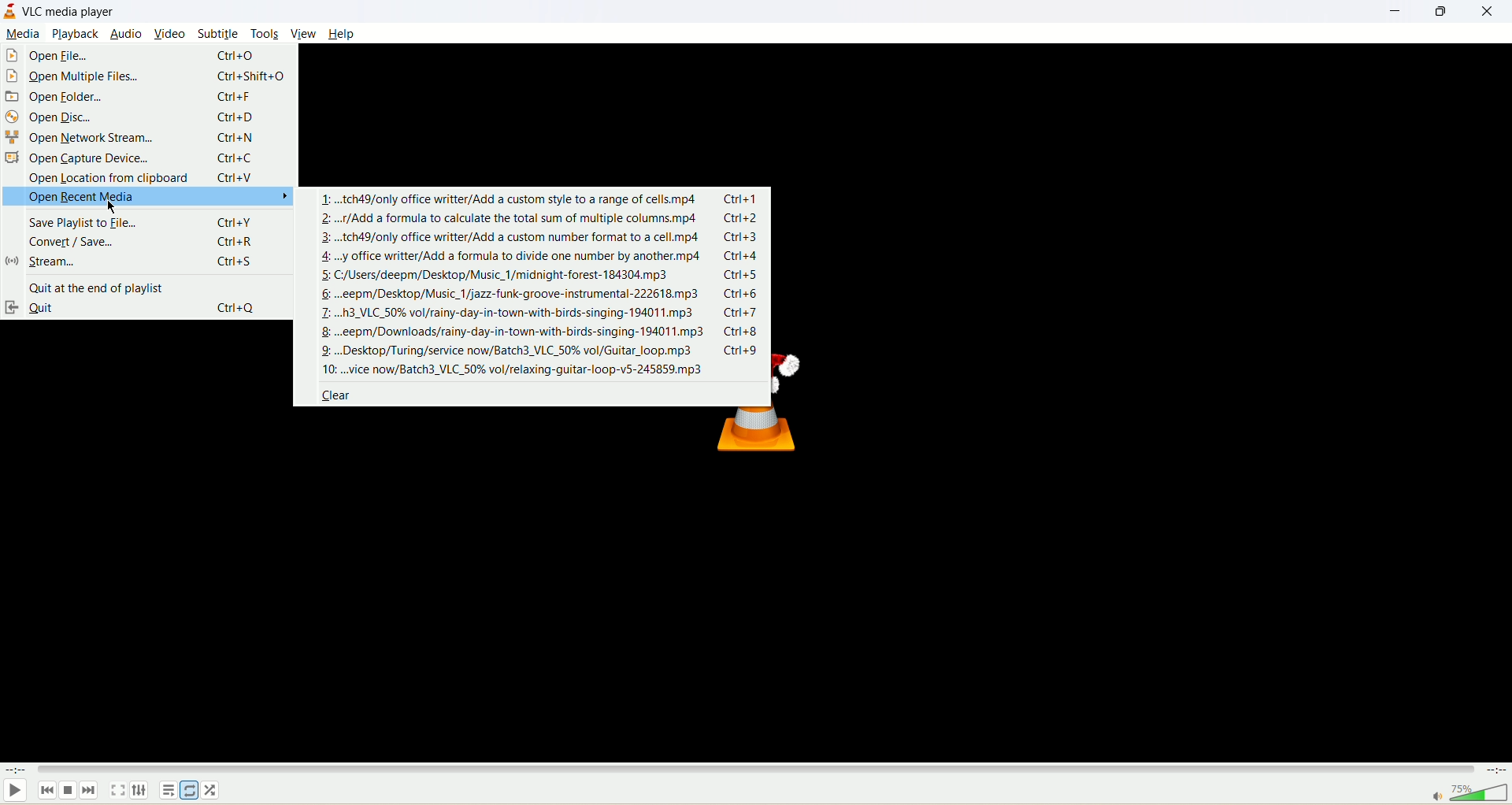 The height and width of the screenshot is (805, 1512). Describe the element at coordinates (745, 275) in the screenshot. I see `ctrl+5` at that location.